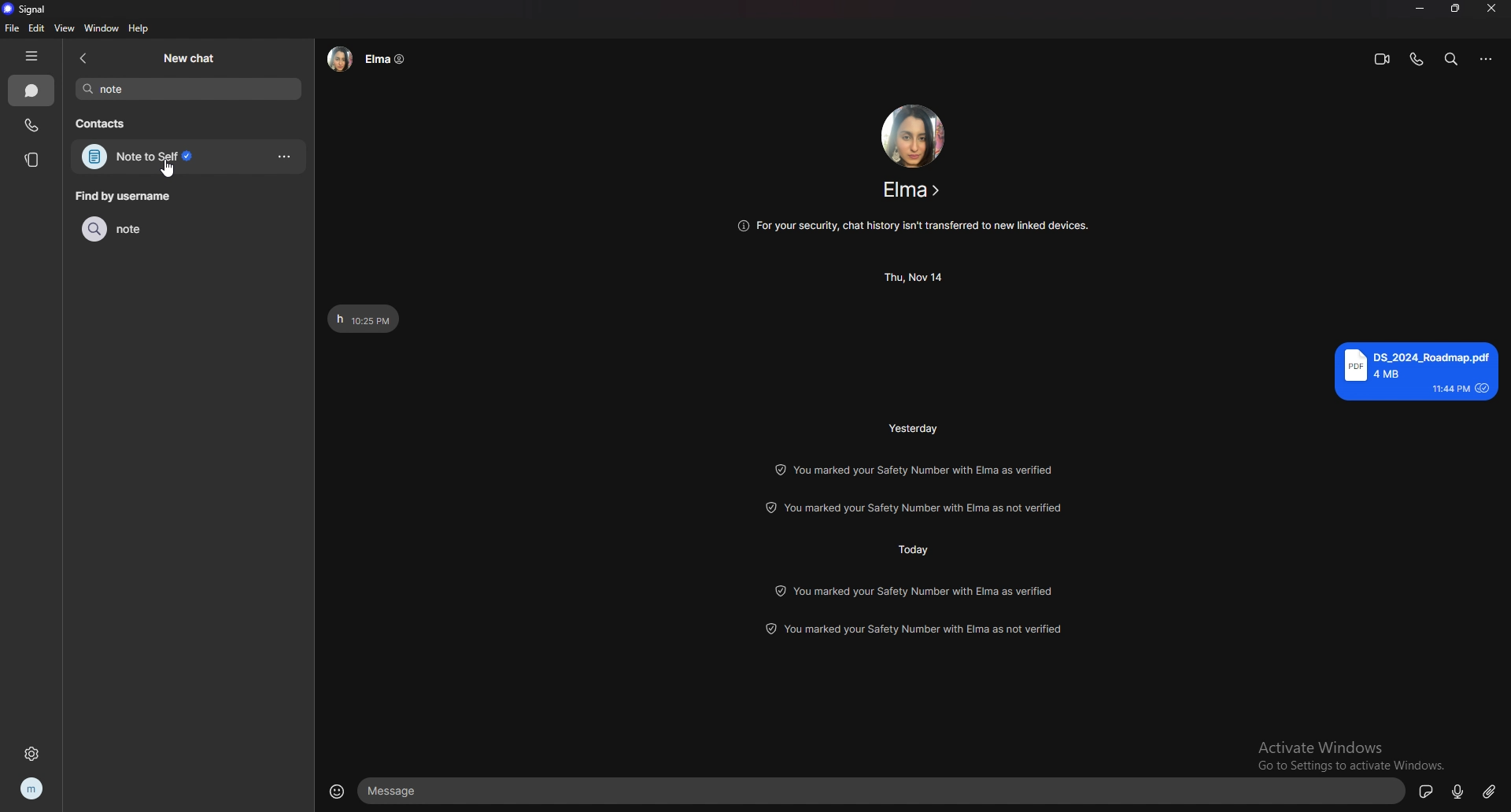  Describe the element at coordinates (922, 507) in the screenshot. I see `update` at that location.